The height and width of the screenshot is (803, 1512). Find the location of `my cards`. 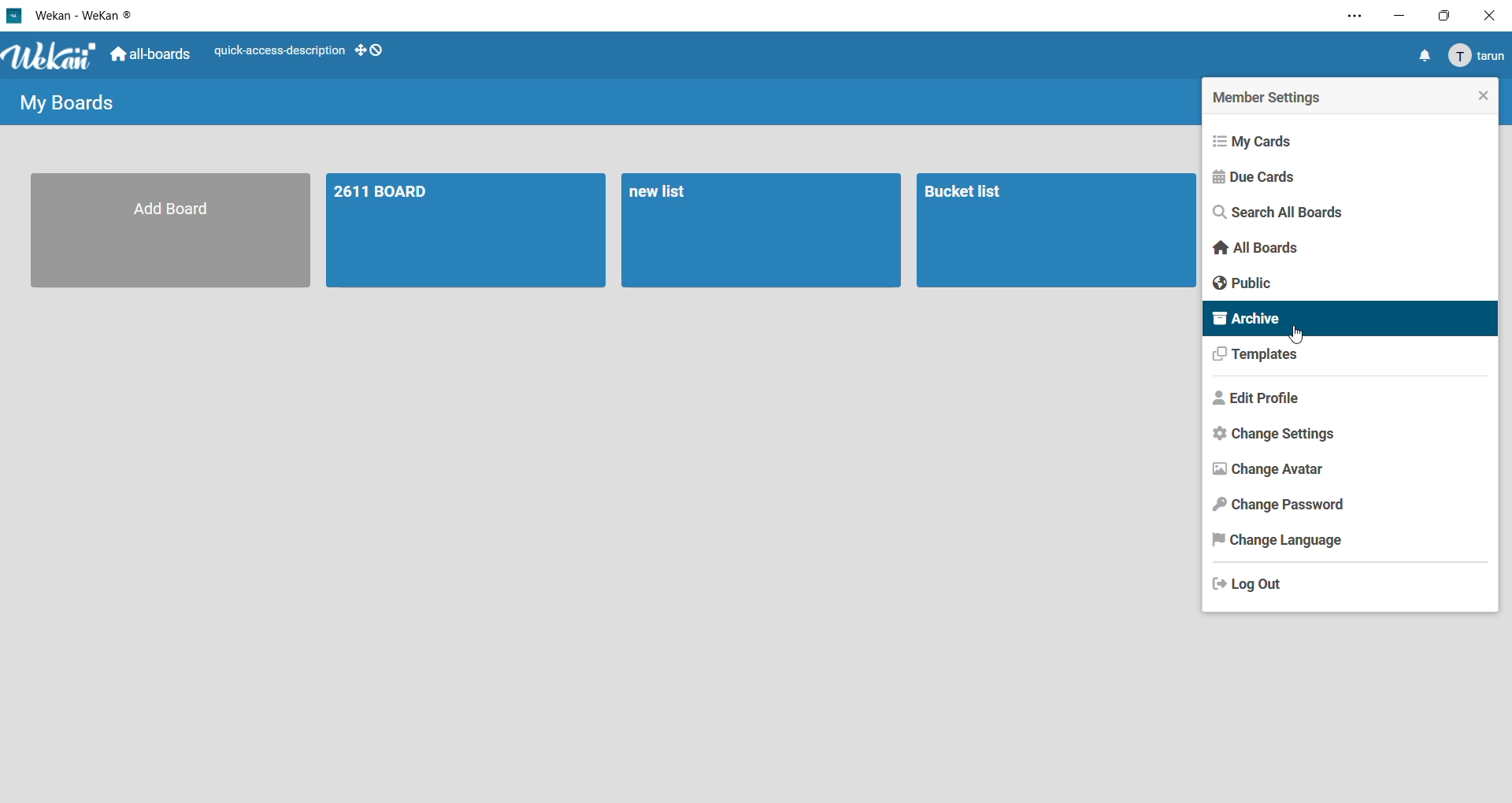

my cards is located at coordinates (1262, 140).